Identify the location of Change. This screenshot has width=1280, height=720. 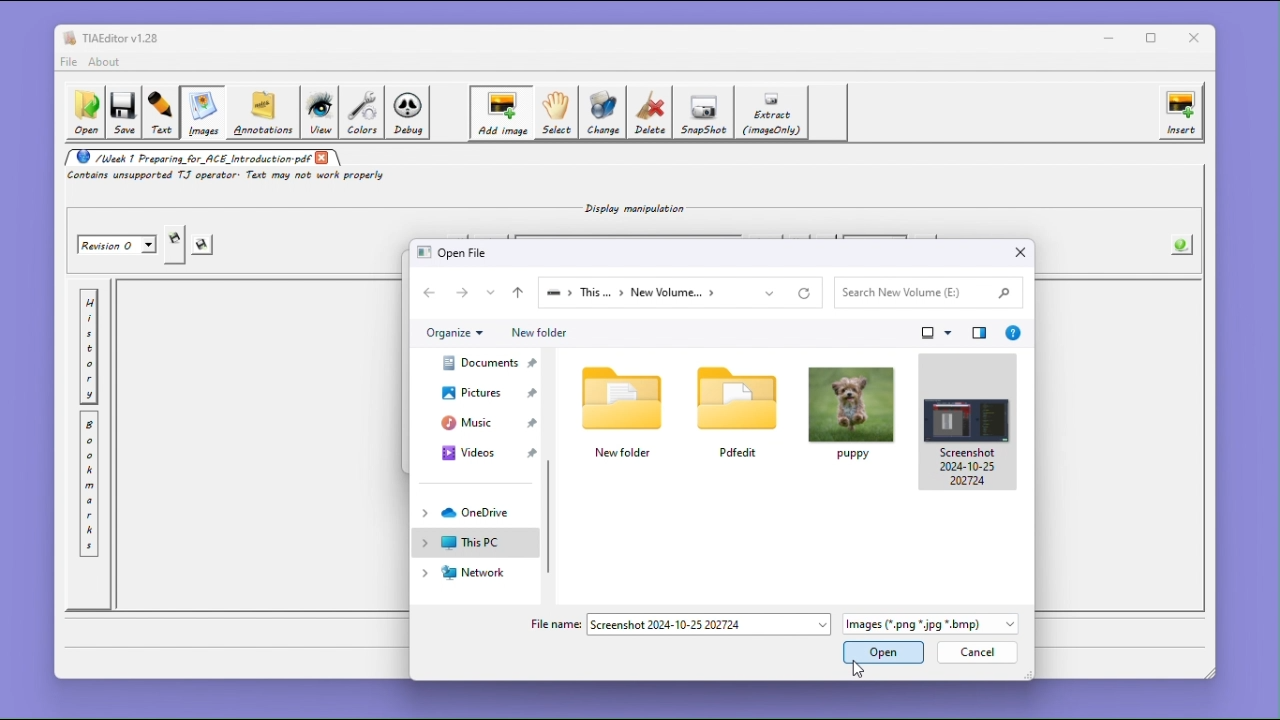
(604, 112).